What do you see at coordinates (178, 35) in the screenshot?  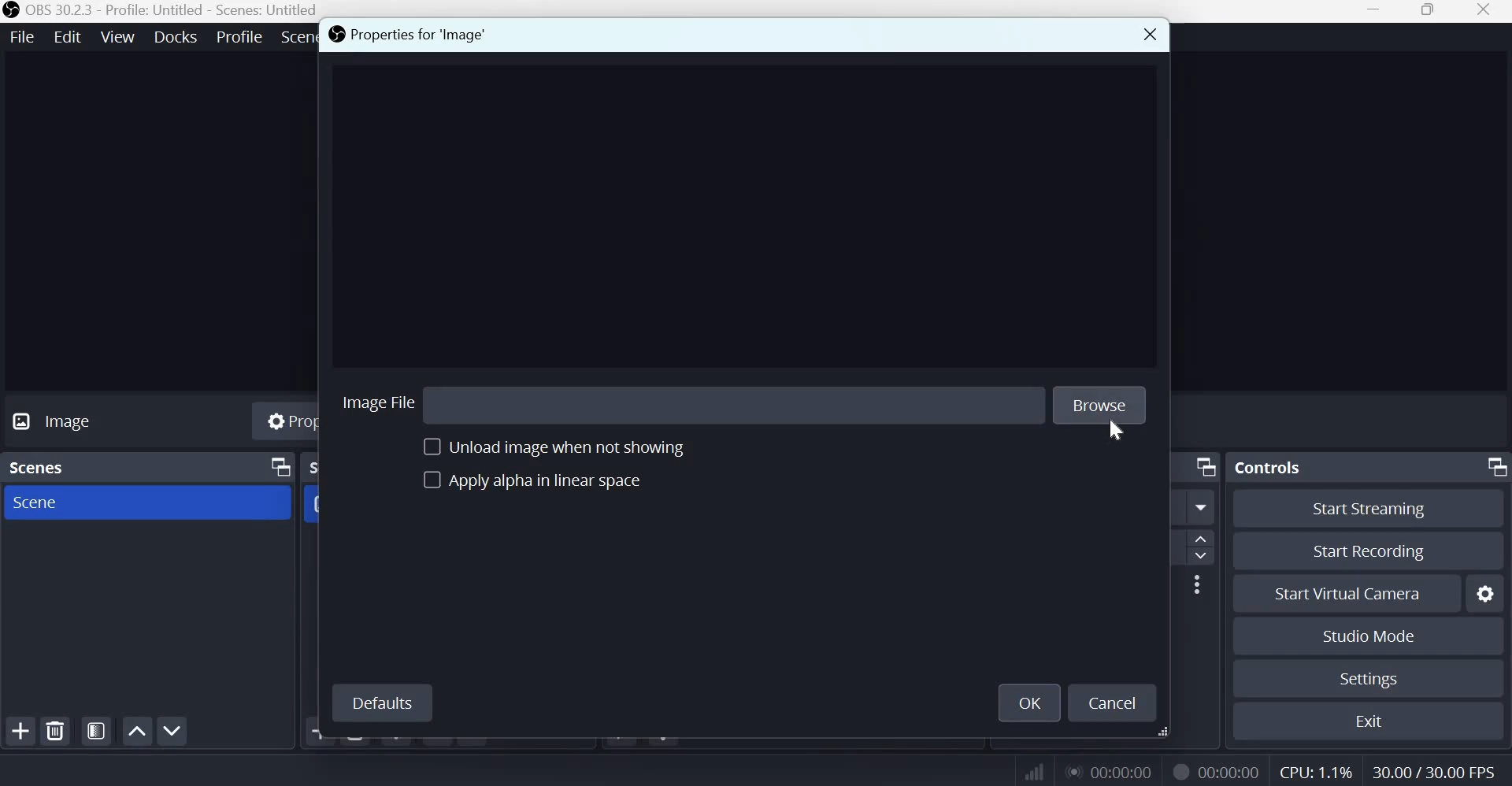 I see `docks` at bounding box center [178, 35].